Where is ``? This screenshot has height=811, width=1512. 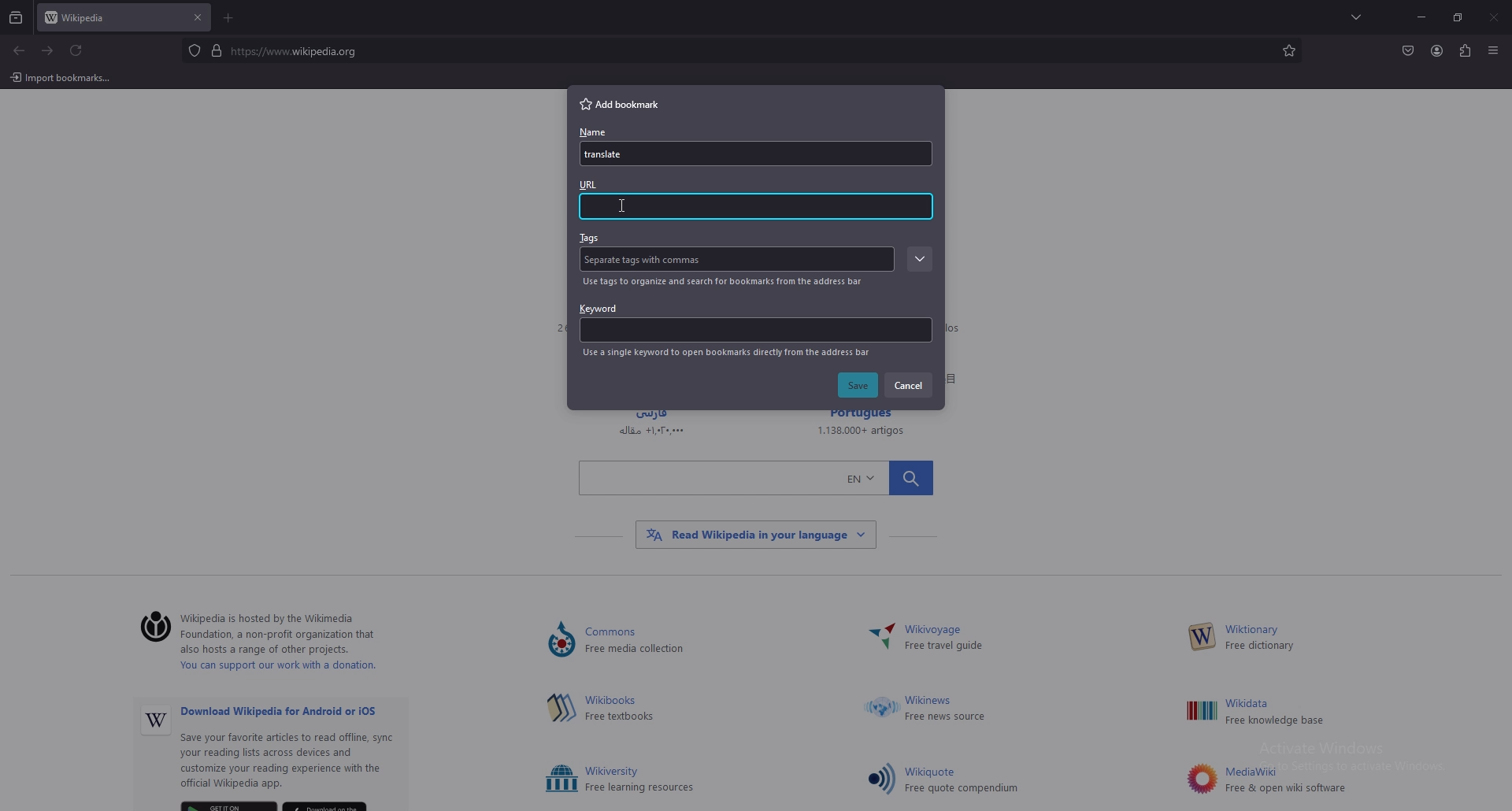
 is located at coordinates (1203, 637).